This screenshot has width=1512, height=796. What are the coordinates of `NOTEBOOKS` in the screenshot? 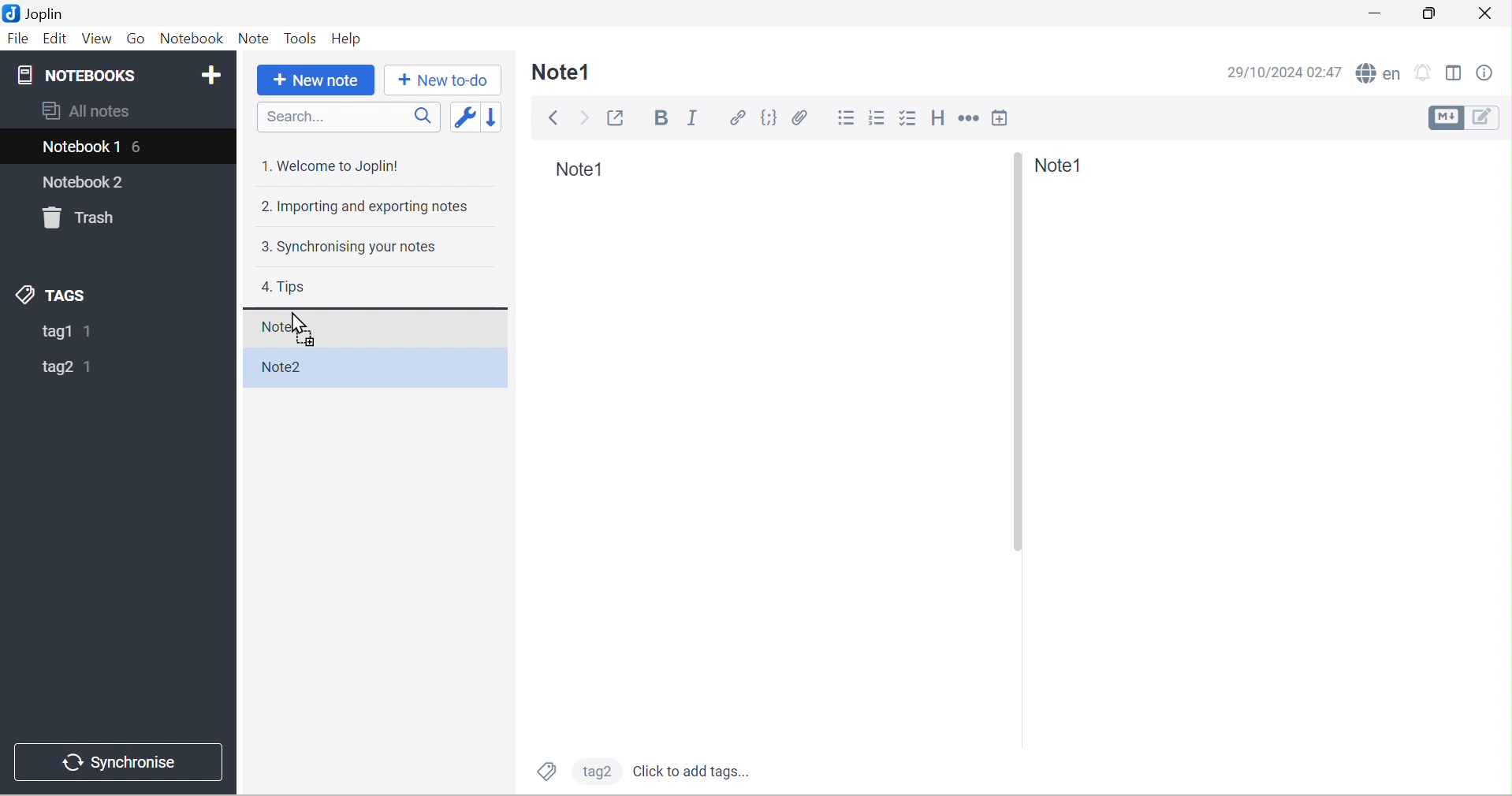 It's located at (76, 75).